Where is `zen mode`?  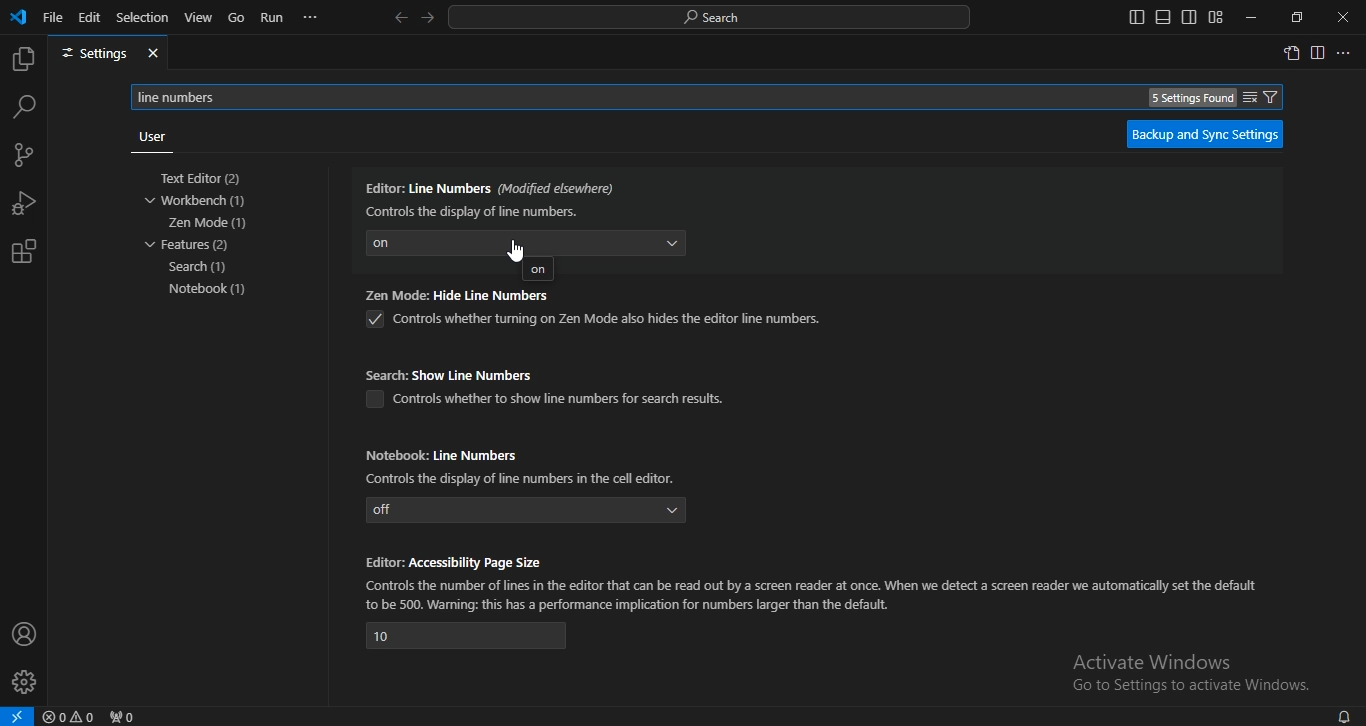 zen mode is located at coordinates (209, 223).